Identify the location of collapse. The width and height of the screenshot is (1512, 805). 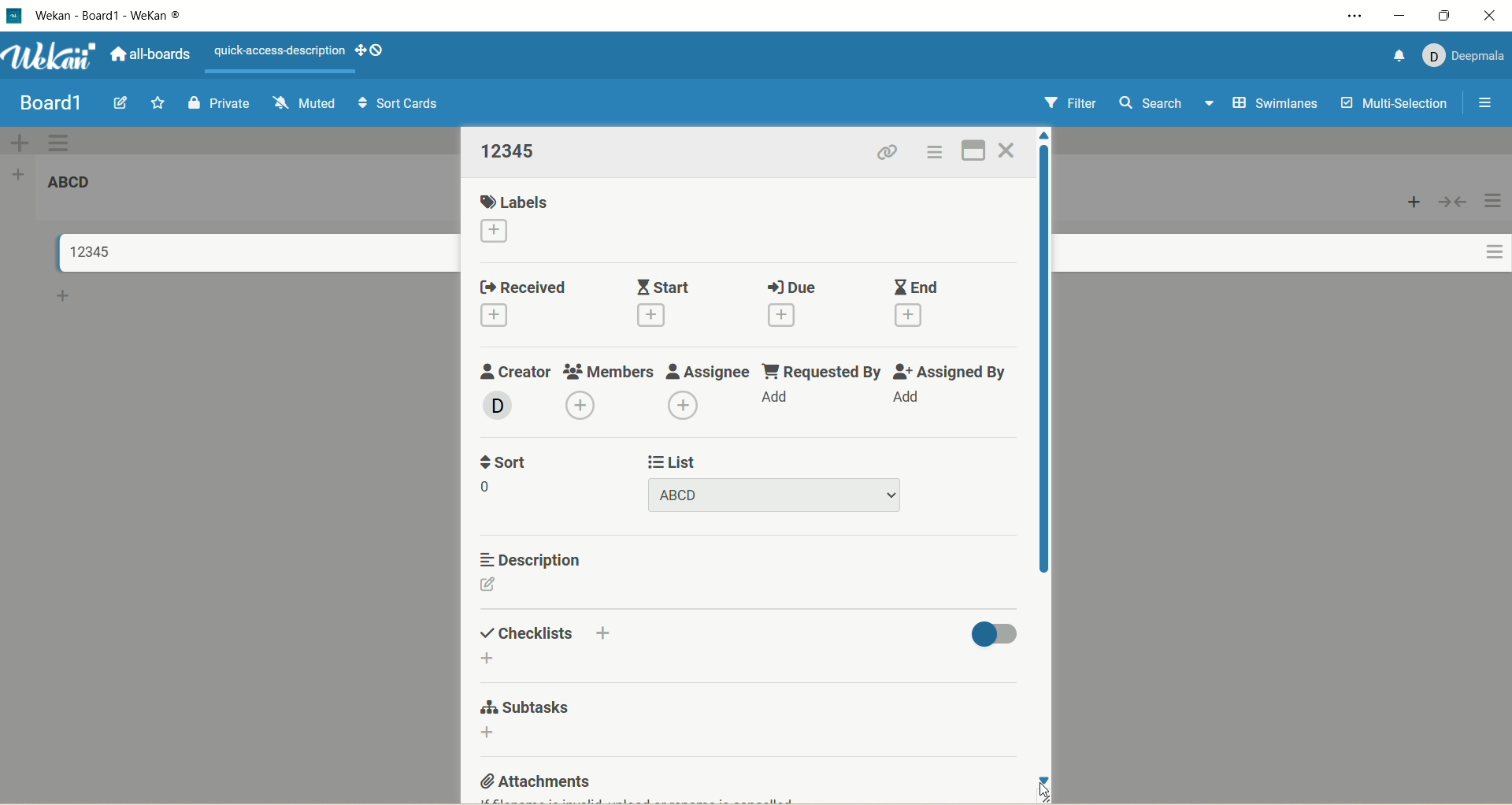
(1451, 202).